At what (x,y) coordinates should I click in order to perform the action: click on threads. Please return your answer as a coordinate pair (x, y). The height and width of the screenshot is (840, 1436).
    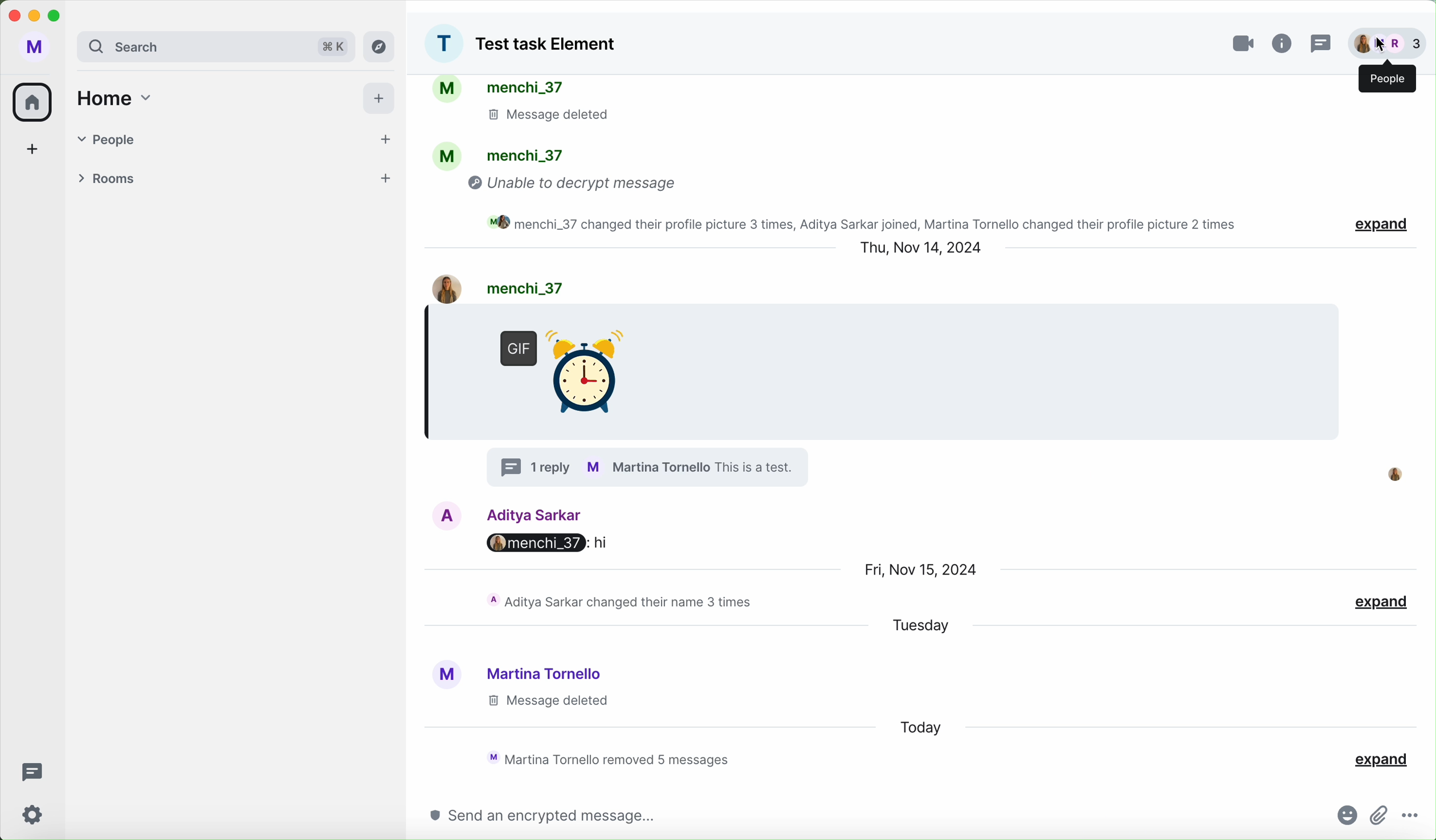
    Looking at the image, I should click on (30, 770).